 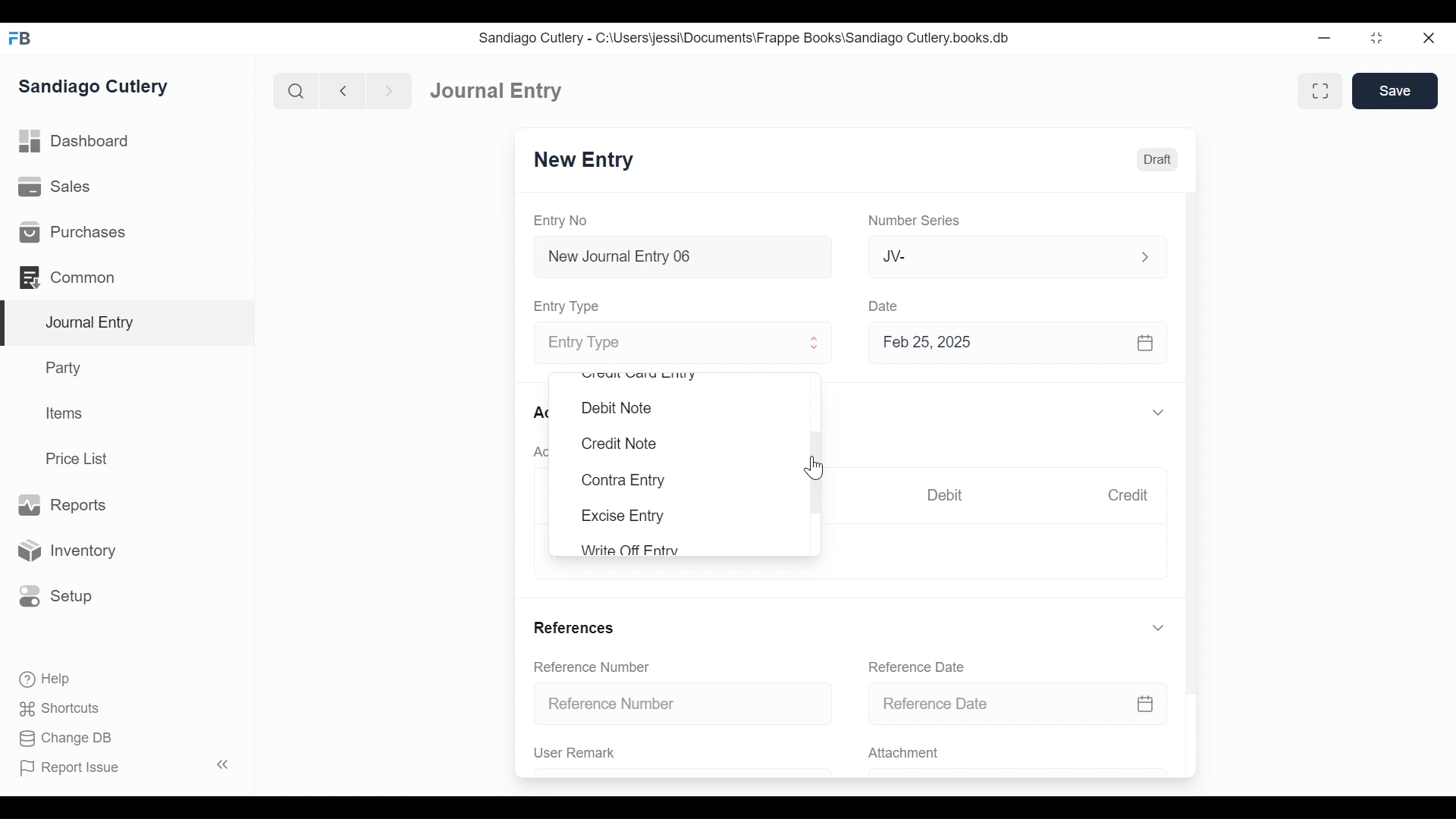 What do you see at coordinates (75, 278) in the screenshot?
I see `Common` at bounding box center [75, 278].